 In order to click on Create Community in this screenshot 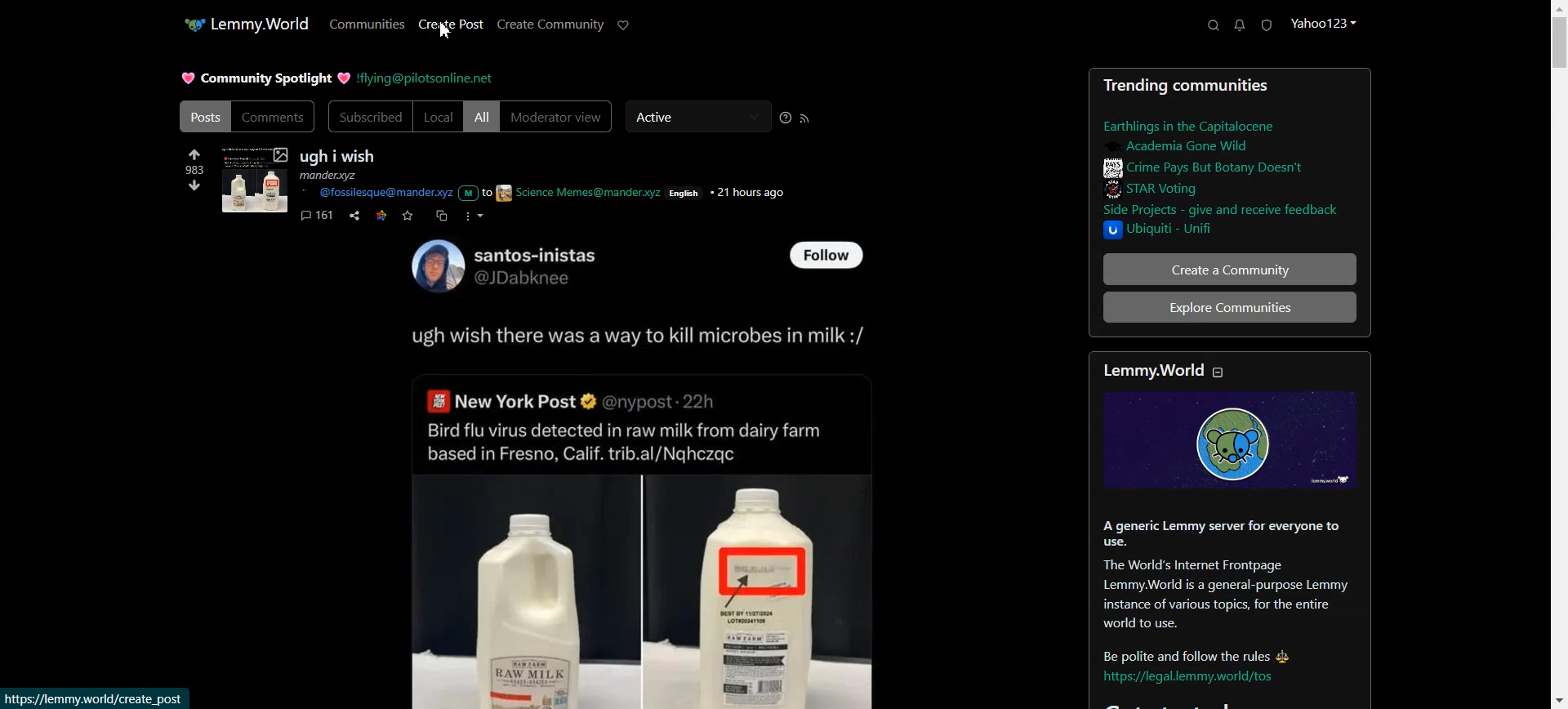, I will do `click(550, 25)`.